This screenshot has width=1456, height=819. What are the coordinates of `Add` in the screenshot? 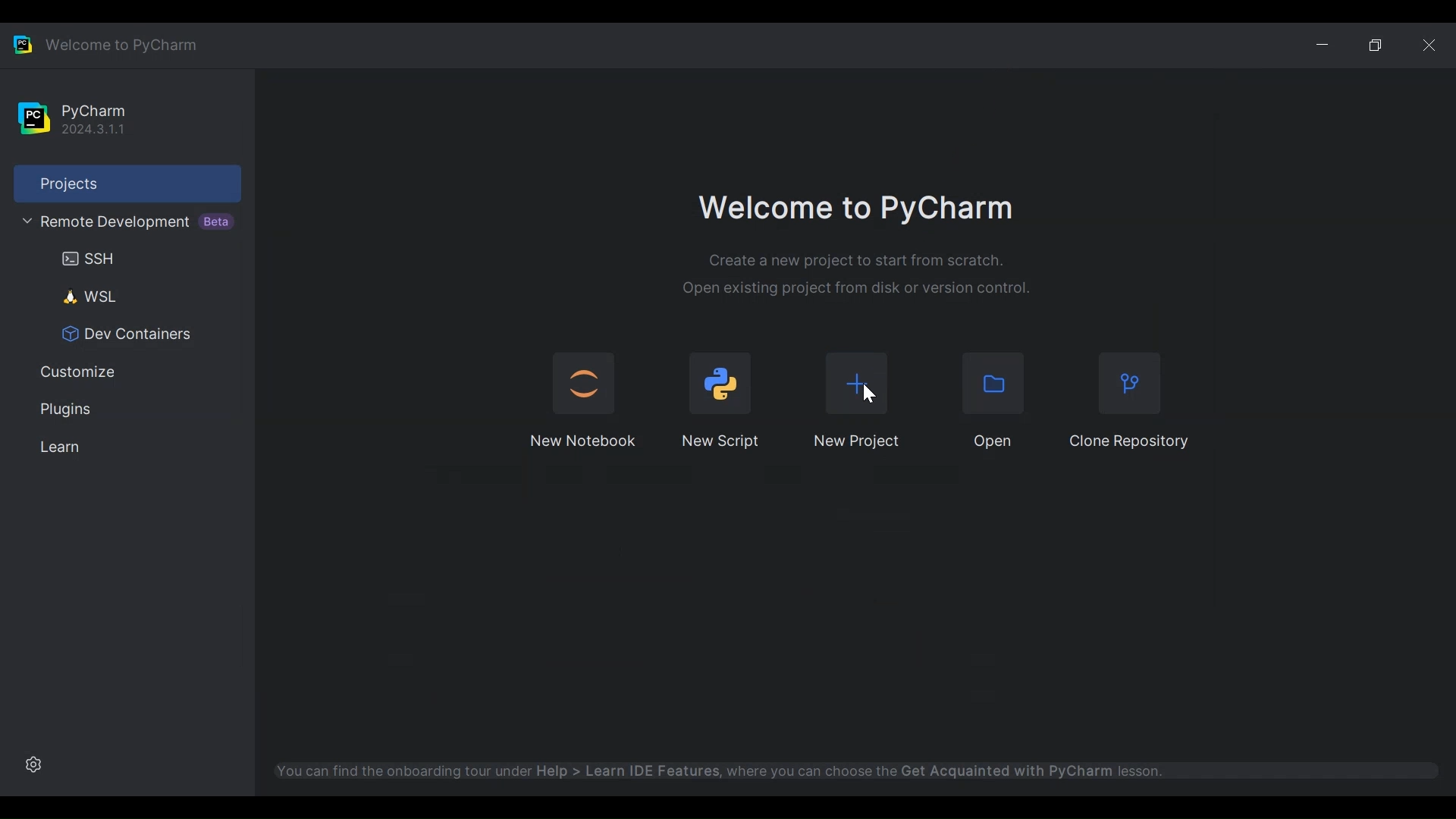 It's located at (856, 384).